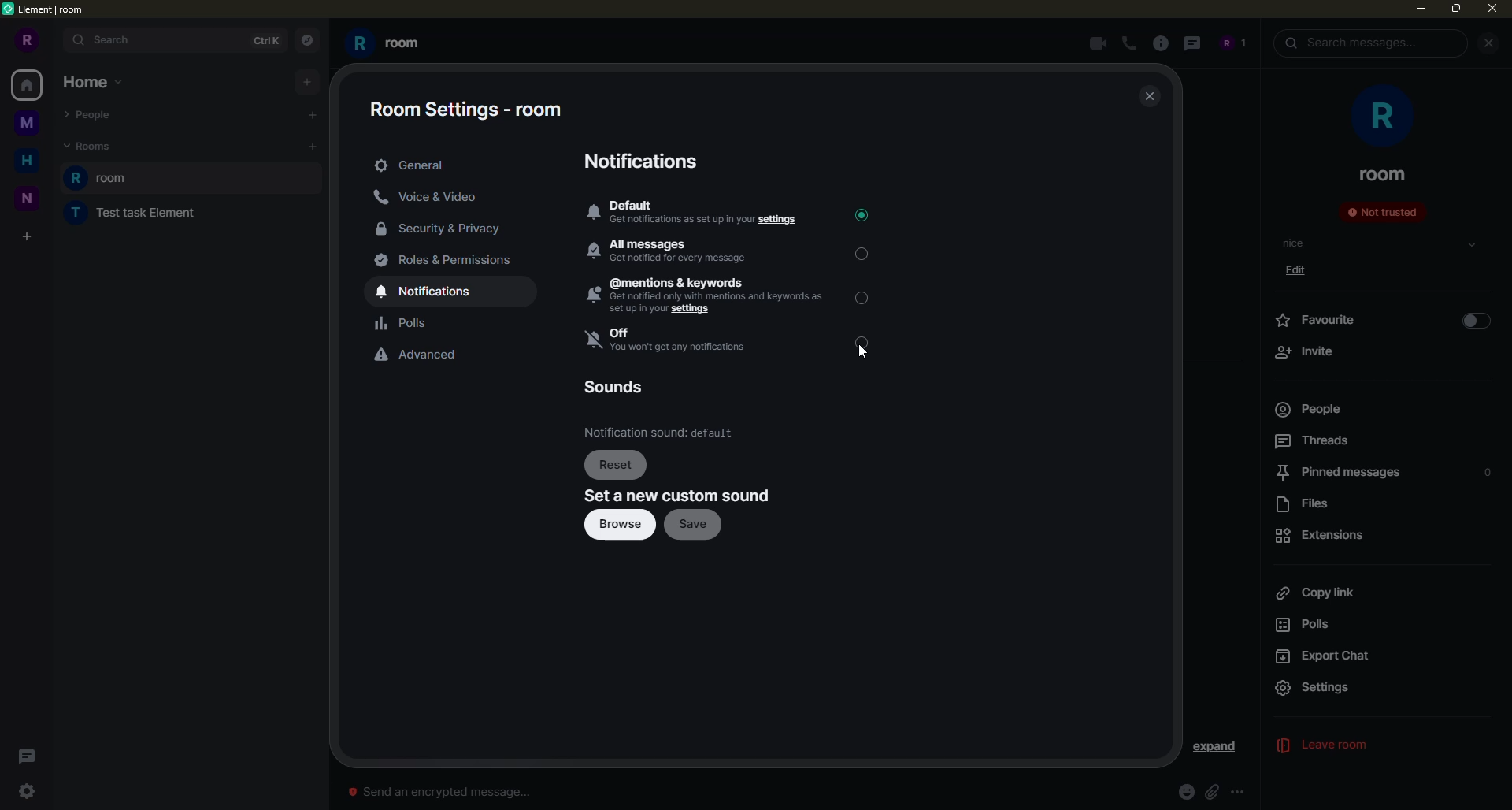 Image resolution: width=1512 pixels, height=810 pixels. I want to click on threads, so click(31, 756).